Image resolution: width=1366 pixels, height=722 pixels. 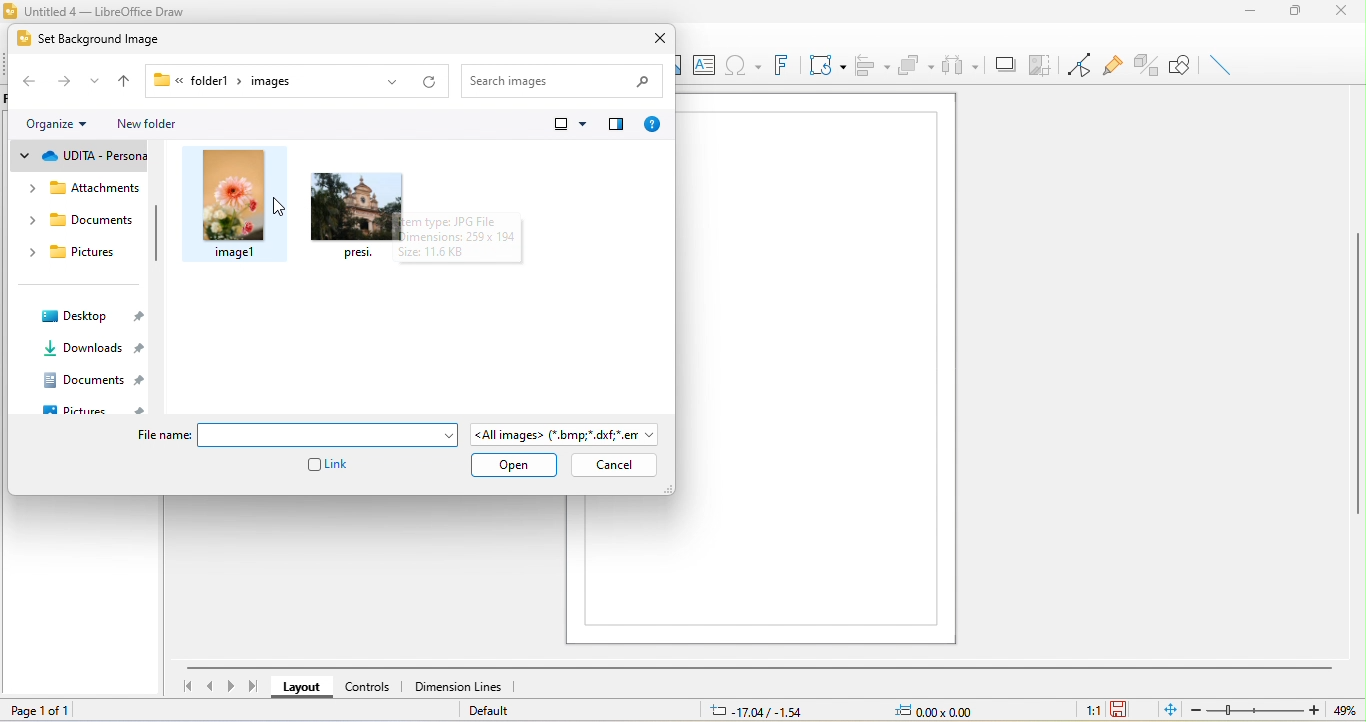 What do you see at coordinates (81, 222) in the screenshot?
I see `documents` at bounding box center [81, 222].